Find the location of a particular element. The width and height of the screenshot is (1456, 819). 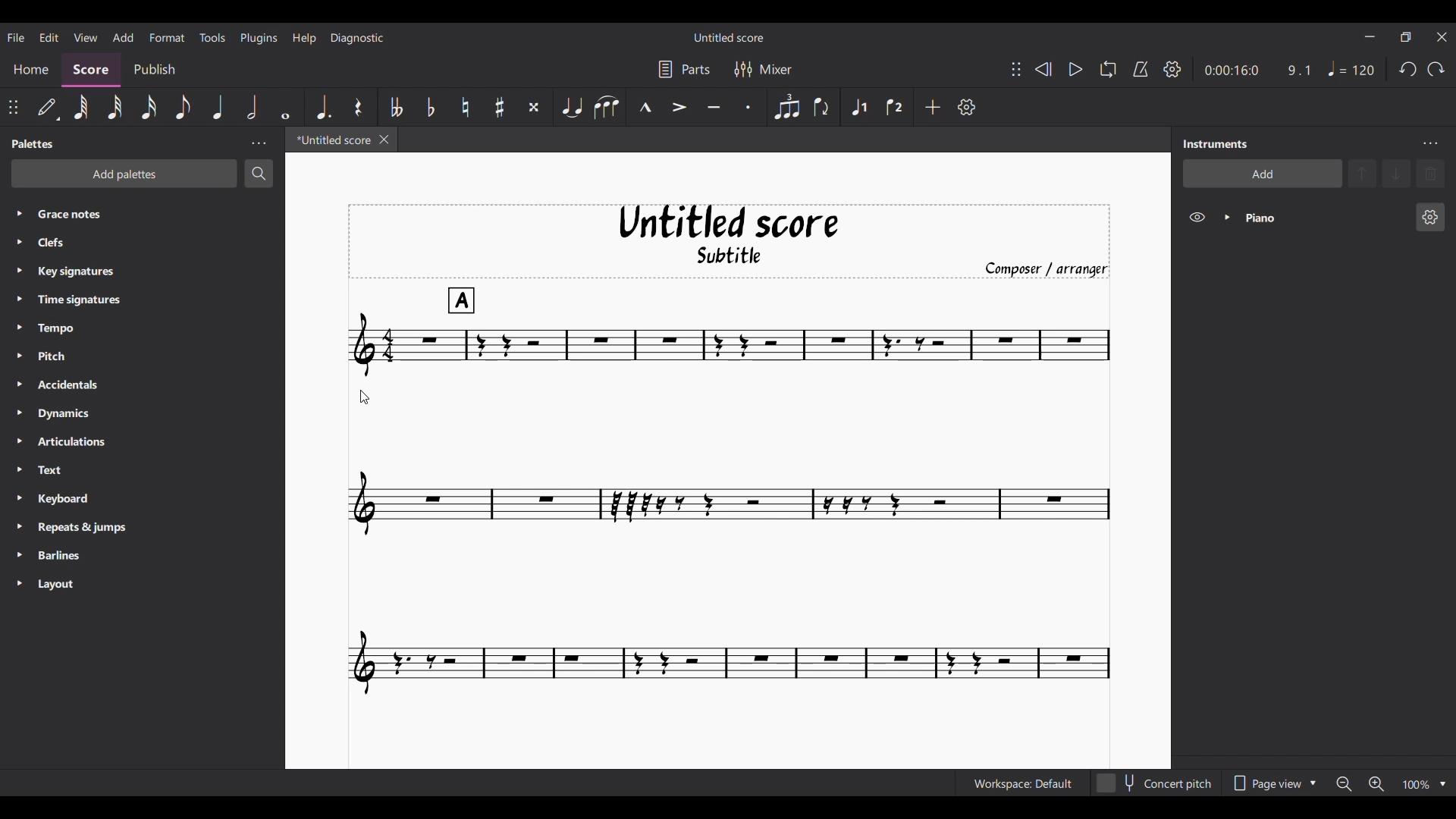

Panel title is located at coordinates (1219, 144).